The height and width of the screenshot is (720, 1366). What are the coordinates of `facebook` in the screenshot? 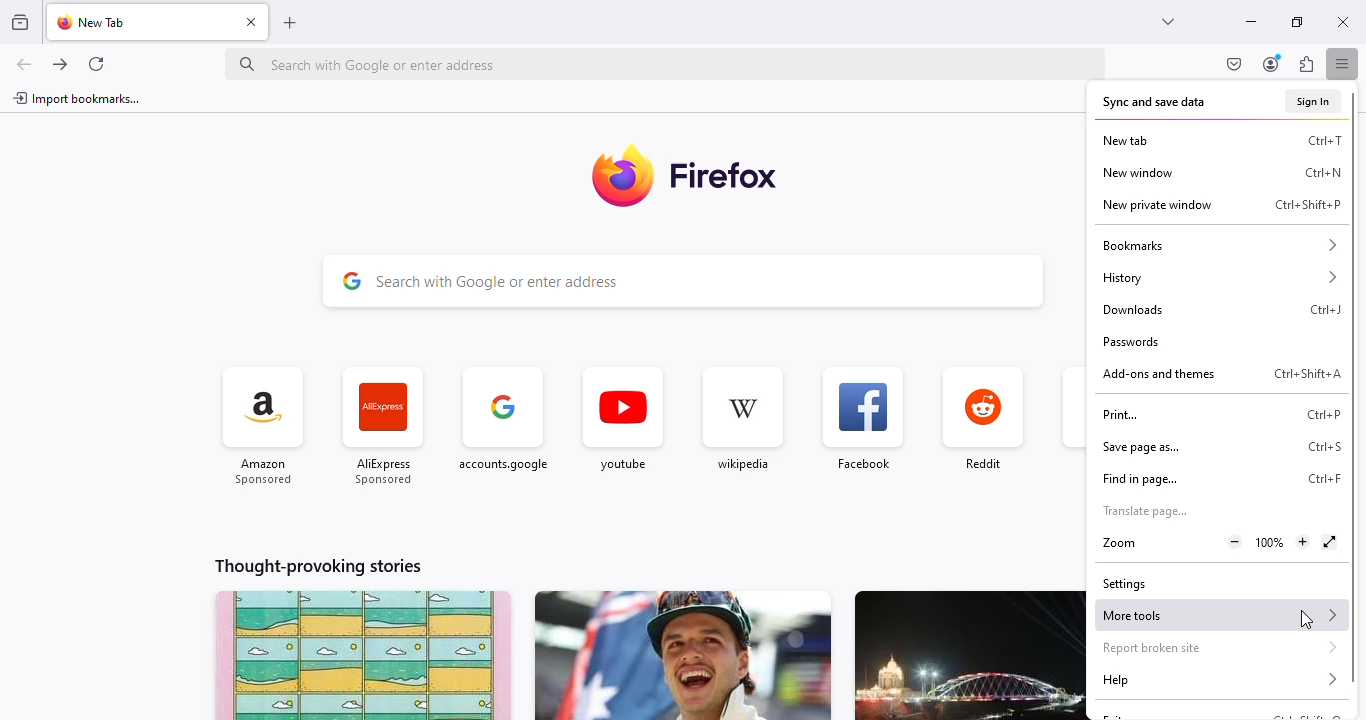 It's located at (862, 420).